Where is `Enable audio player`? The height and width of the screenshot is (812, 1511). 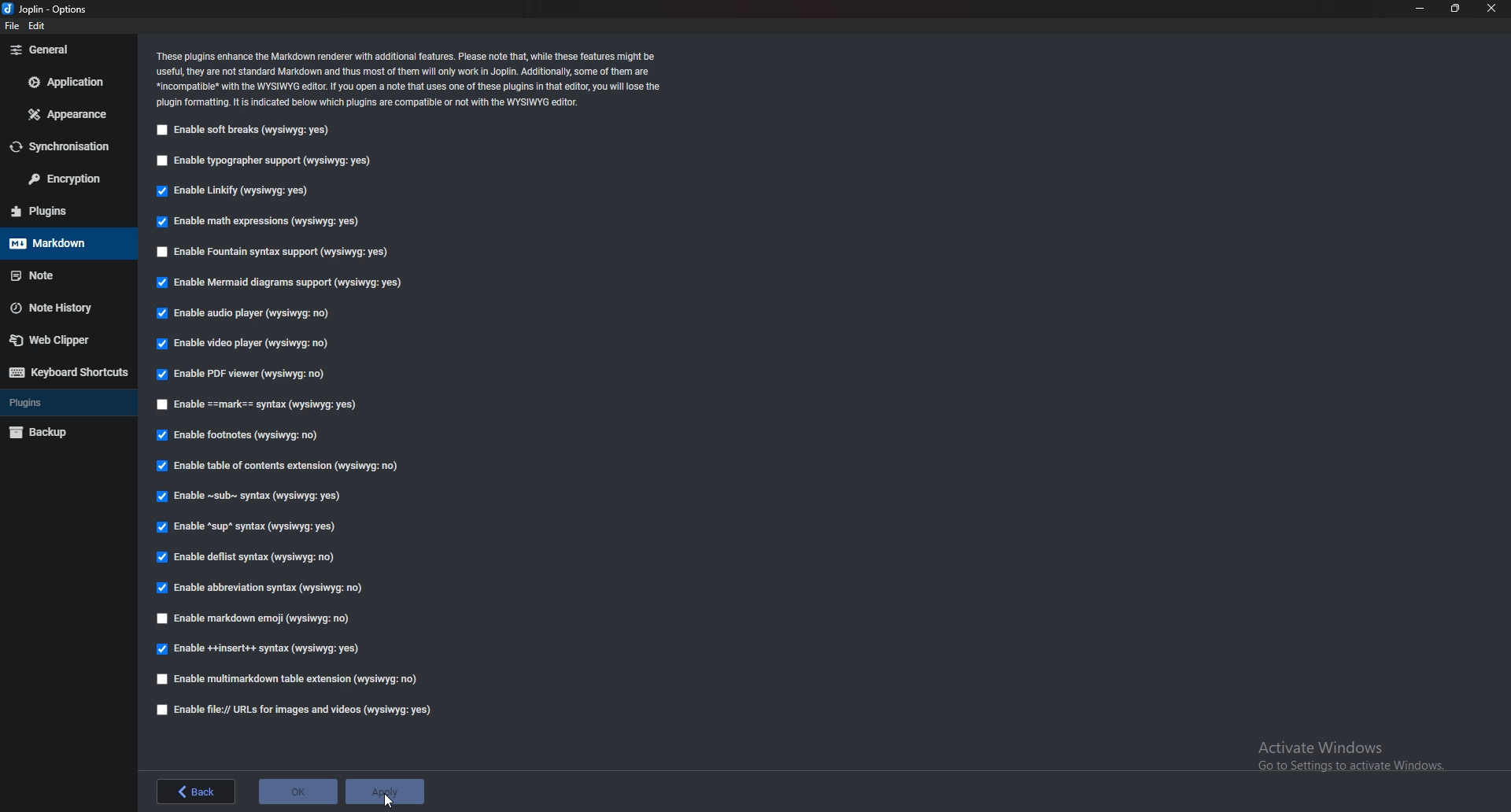
Enable audio player is located at coordinates (249, 315).